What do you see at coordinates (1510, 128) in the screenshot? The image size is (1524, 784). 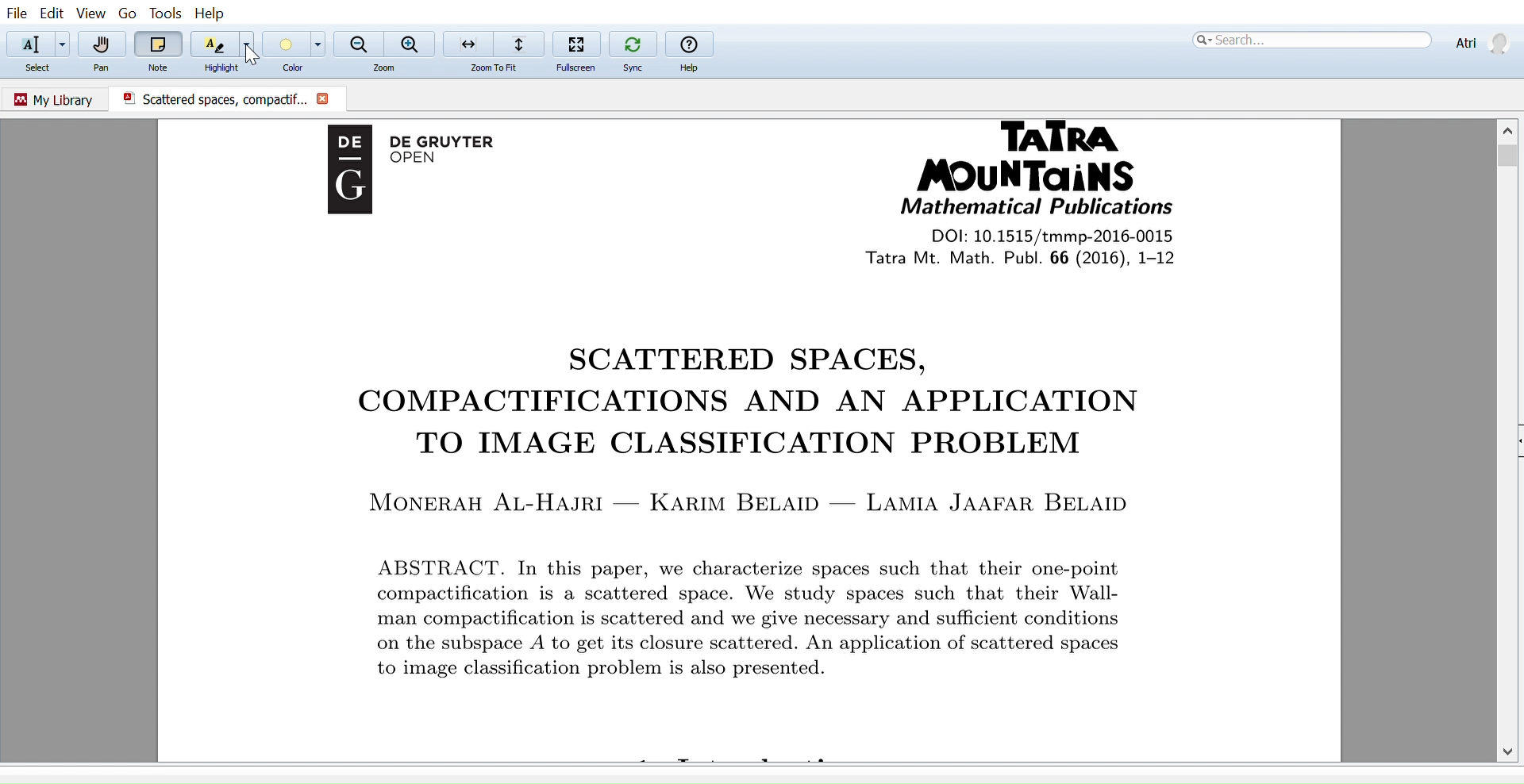 I see `Move up` at bounding box center [1510, 128].